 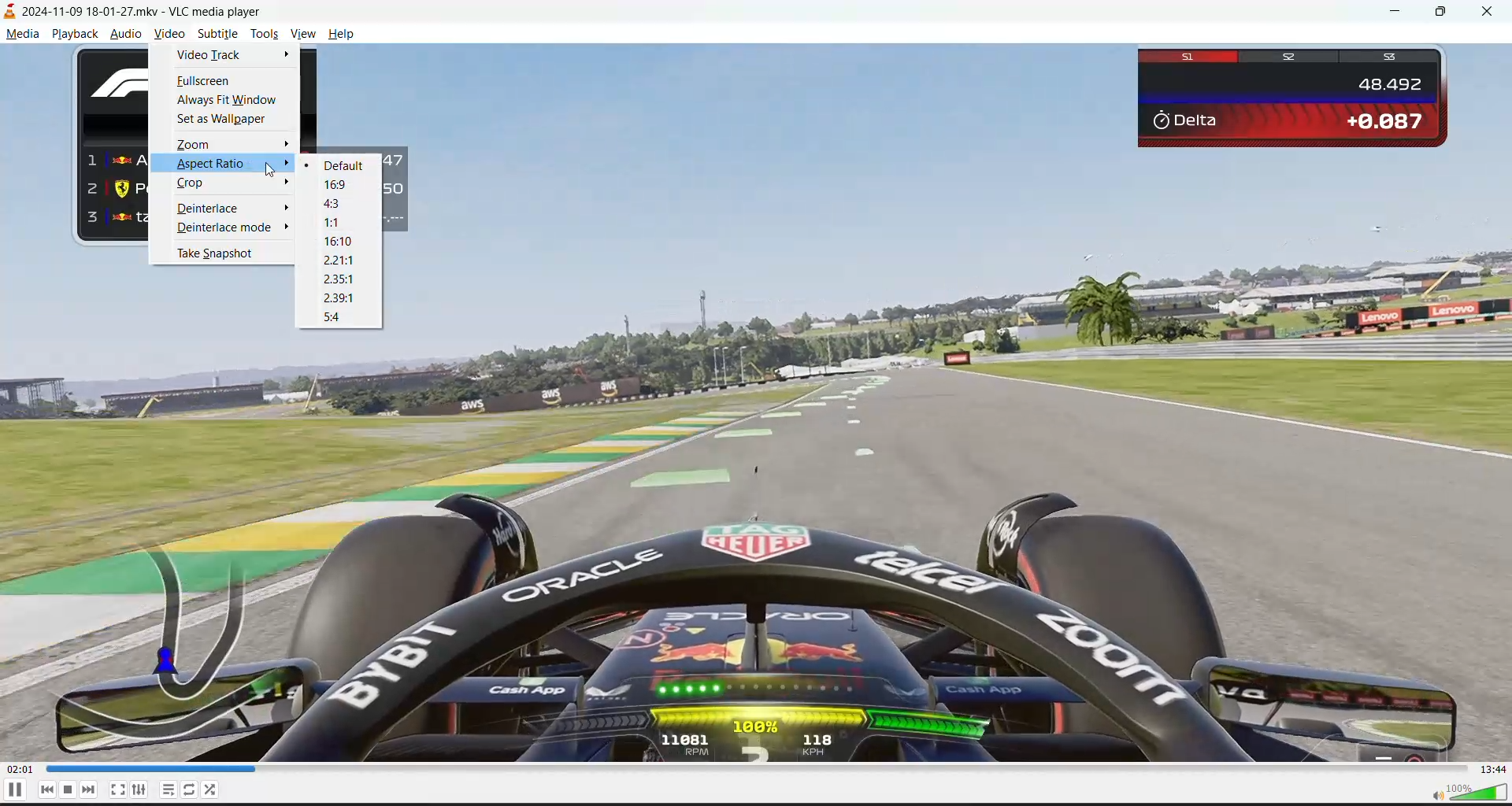 What do you see at coordinates (230, 164) in the screenshot?
I see `aspect ratio` at bounding box center [230, 164].